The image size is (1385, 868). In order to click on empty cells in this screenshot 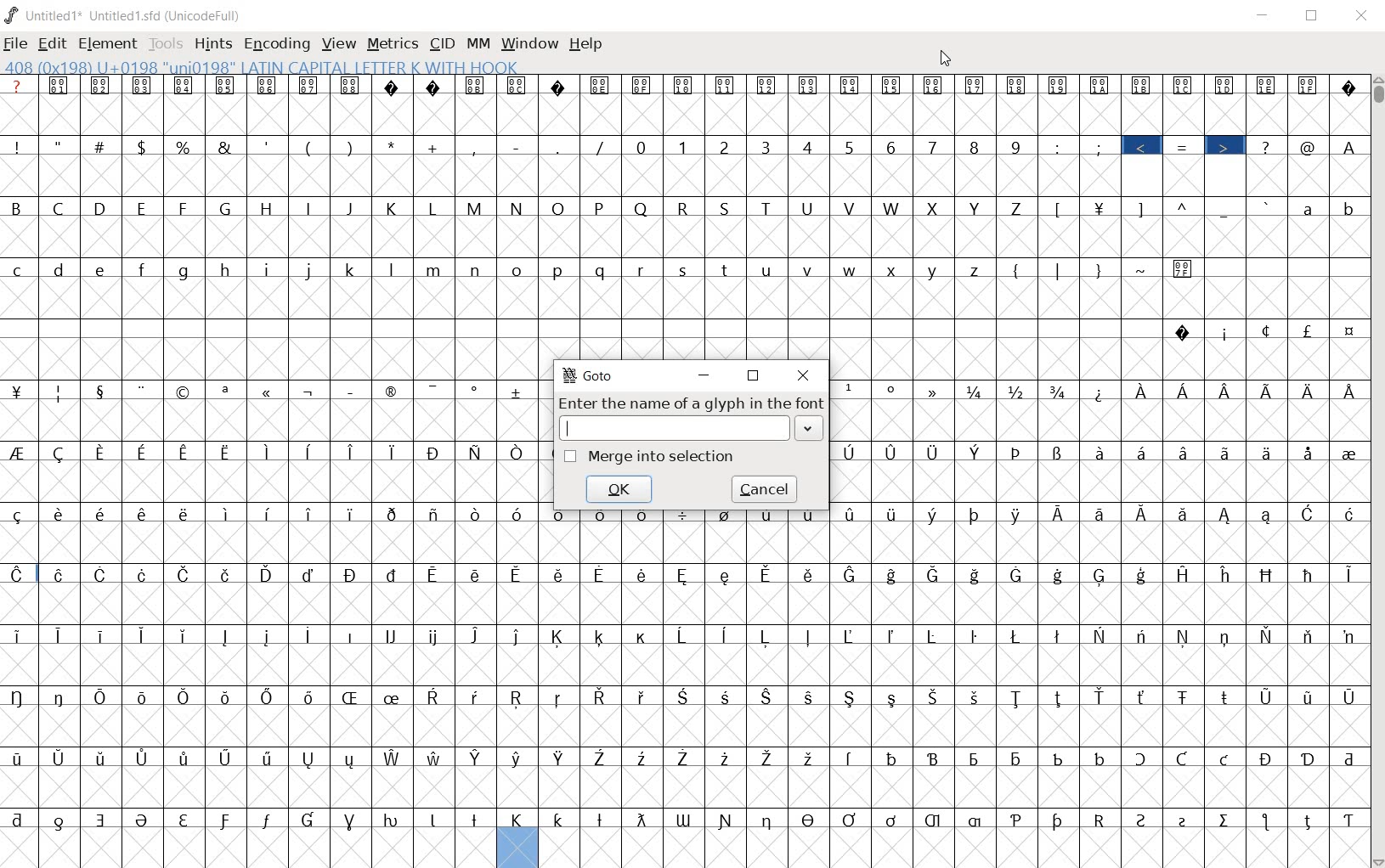, I will do `click(248, 850)`.